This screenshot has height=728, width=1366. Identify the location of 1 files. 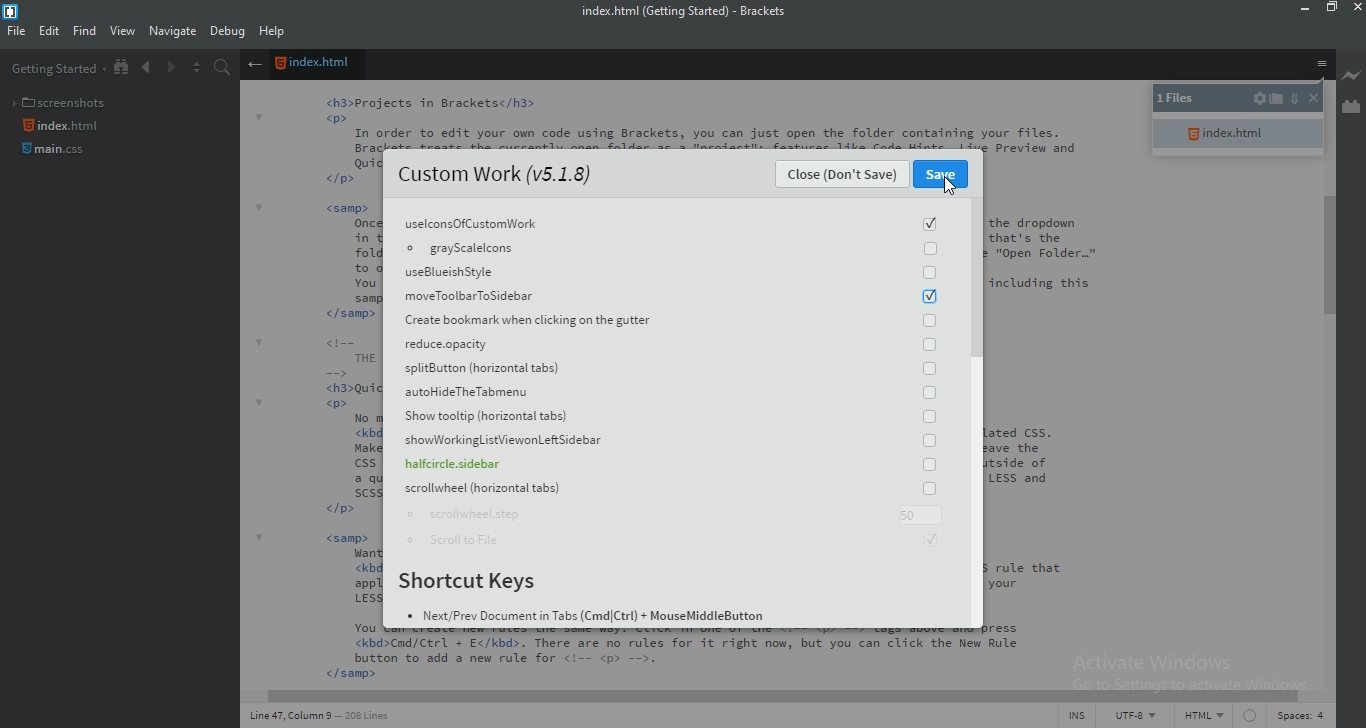
(1188, 100).